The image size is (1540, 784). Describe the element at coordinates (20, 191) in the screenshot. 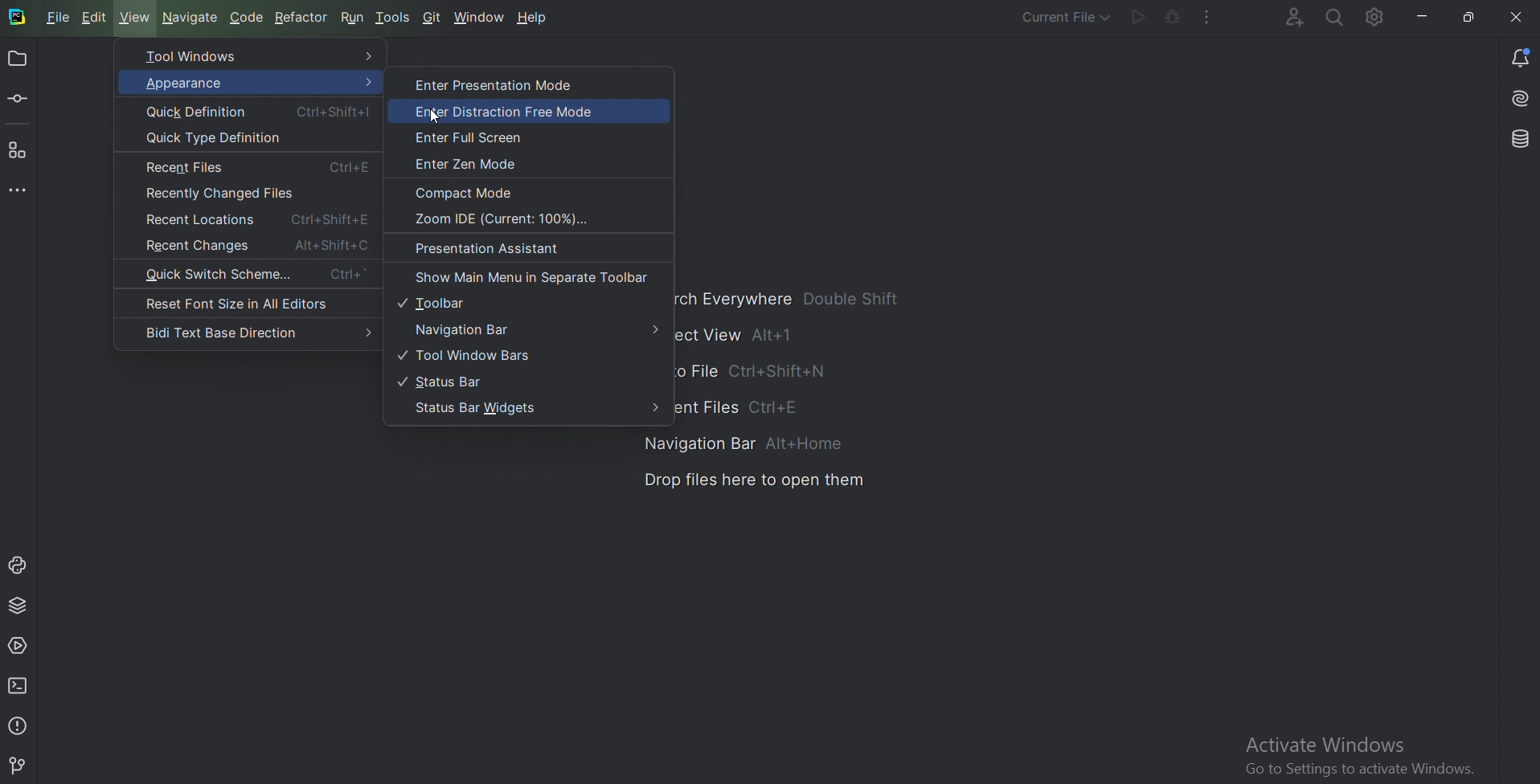

I see `more tool windows` at that location.